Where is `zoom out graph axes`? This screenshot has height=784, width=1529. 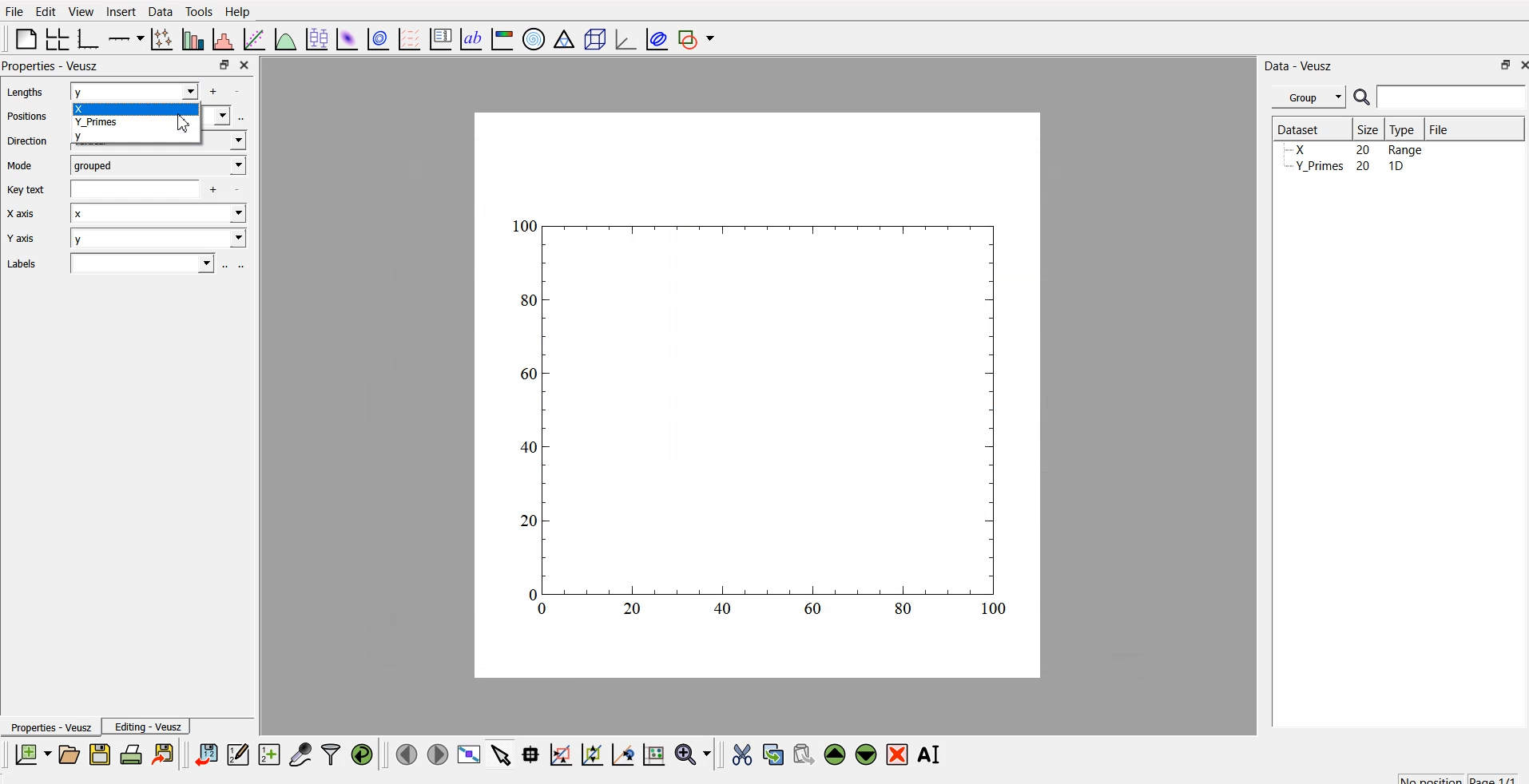 zoom out graph axes is located at coordinates (621, 754).